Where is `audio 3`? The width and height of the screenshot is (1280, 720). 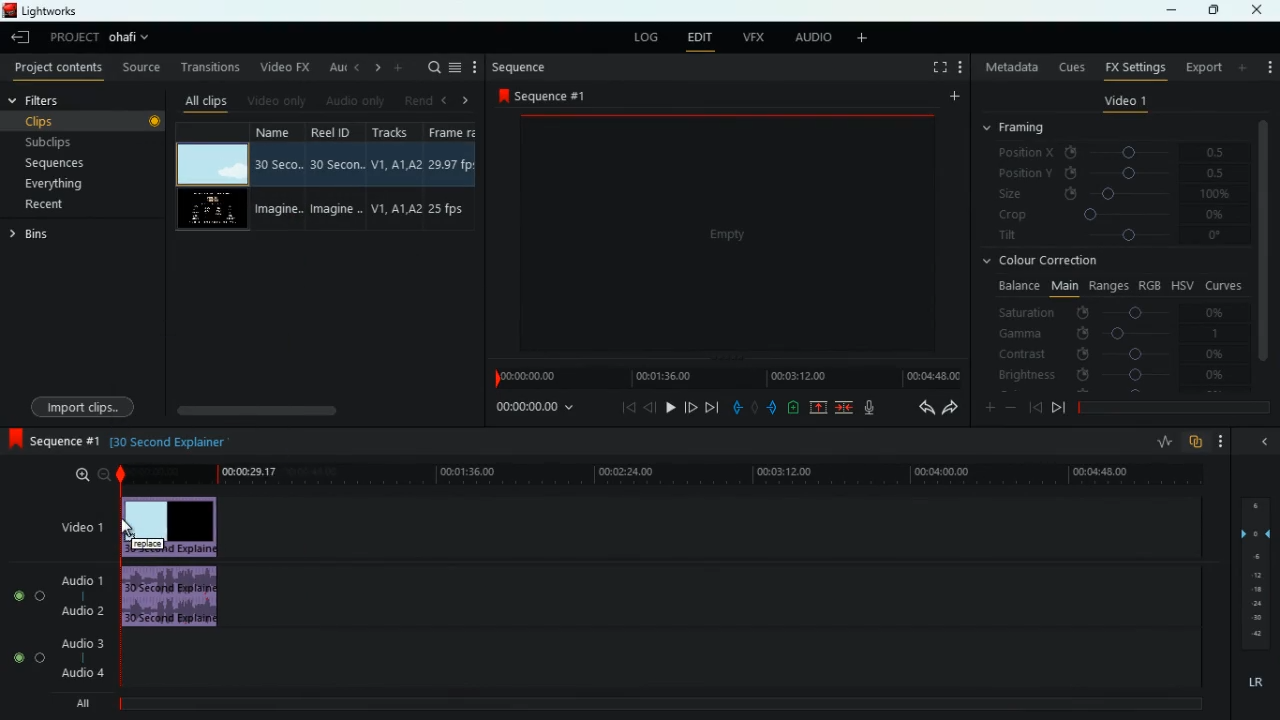
audio 3 is located at coordinates (77, 642).